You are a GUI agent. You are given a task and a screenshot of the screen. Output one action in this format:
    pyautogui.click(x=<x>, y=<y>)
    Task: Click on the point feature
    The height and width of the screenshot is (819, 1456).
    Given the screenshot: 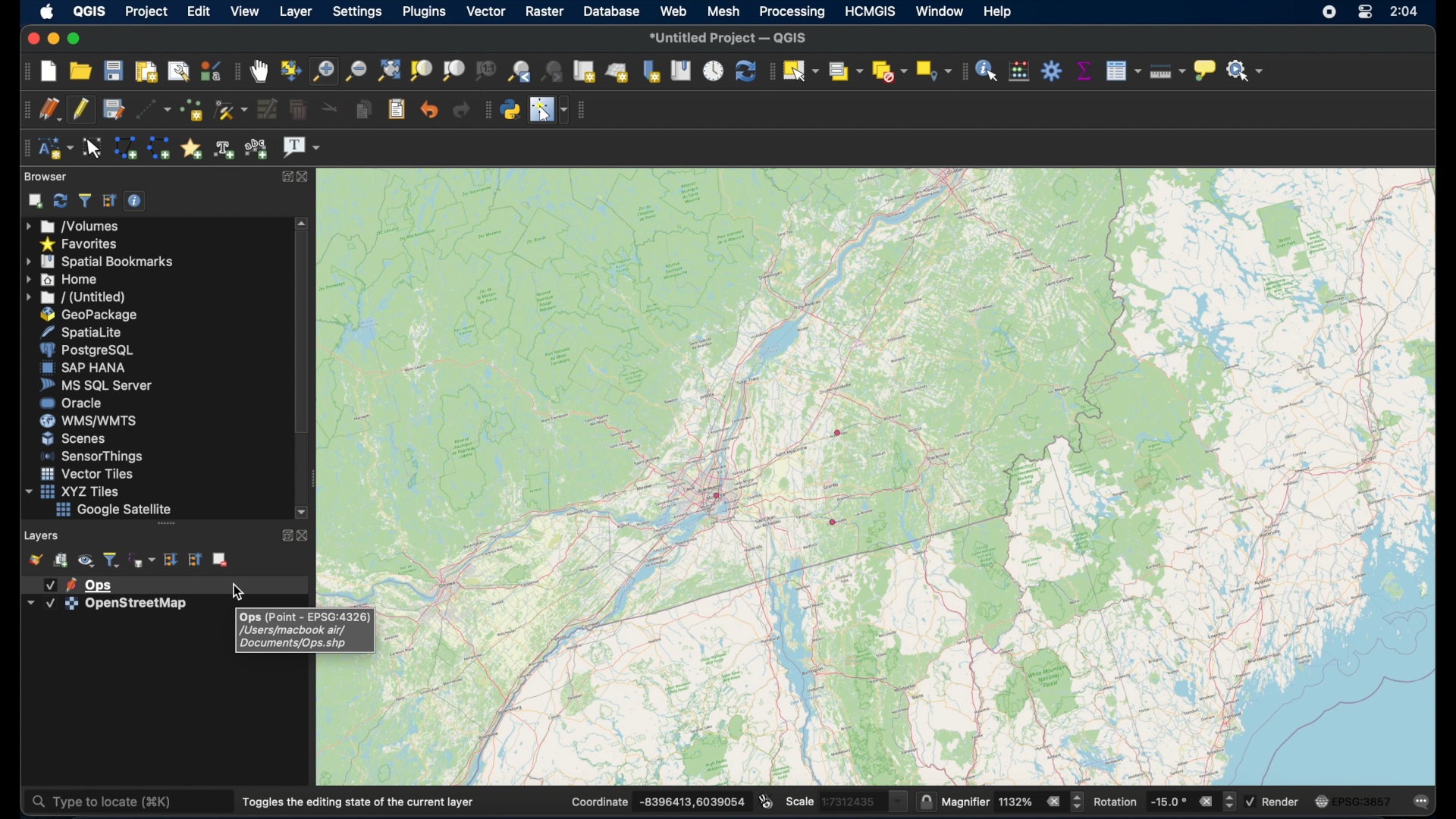 What is the action you would take?
    pyautogui.click(x=839, y=432)
    